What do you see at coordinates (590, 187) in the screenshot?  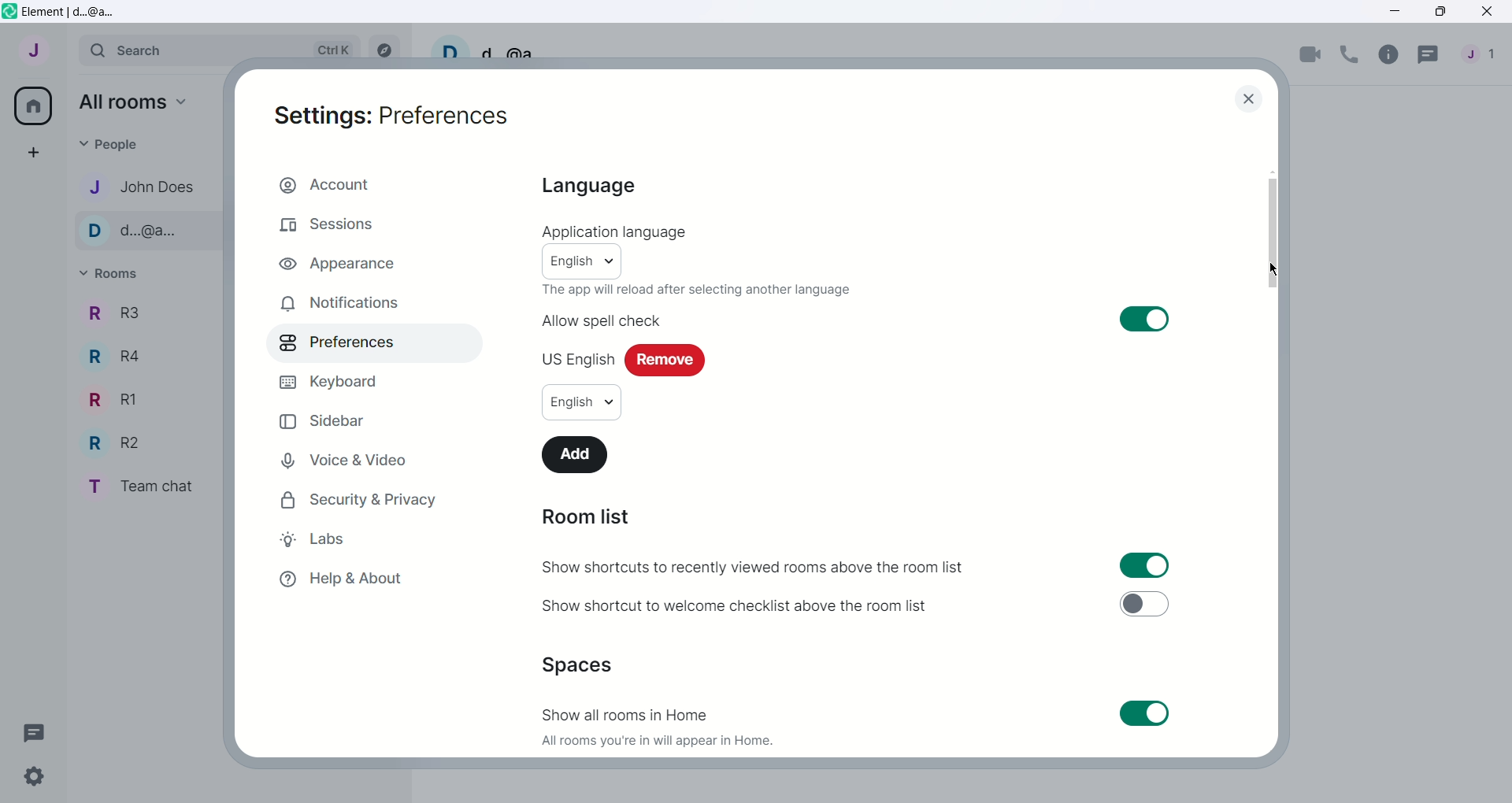 I see `Language` at bounding box center [590, 187].